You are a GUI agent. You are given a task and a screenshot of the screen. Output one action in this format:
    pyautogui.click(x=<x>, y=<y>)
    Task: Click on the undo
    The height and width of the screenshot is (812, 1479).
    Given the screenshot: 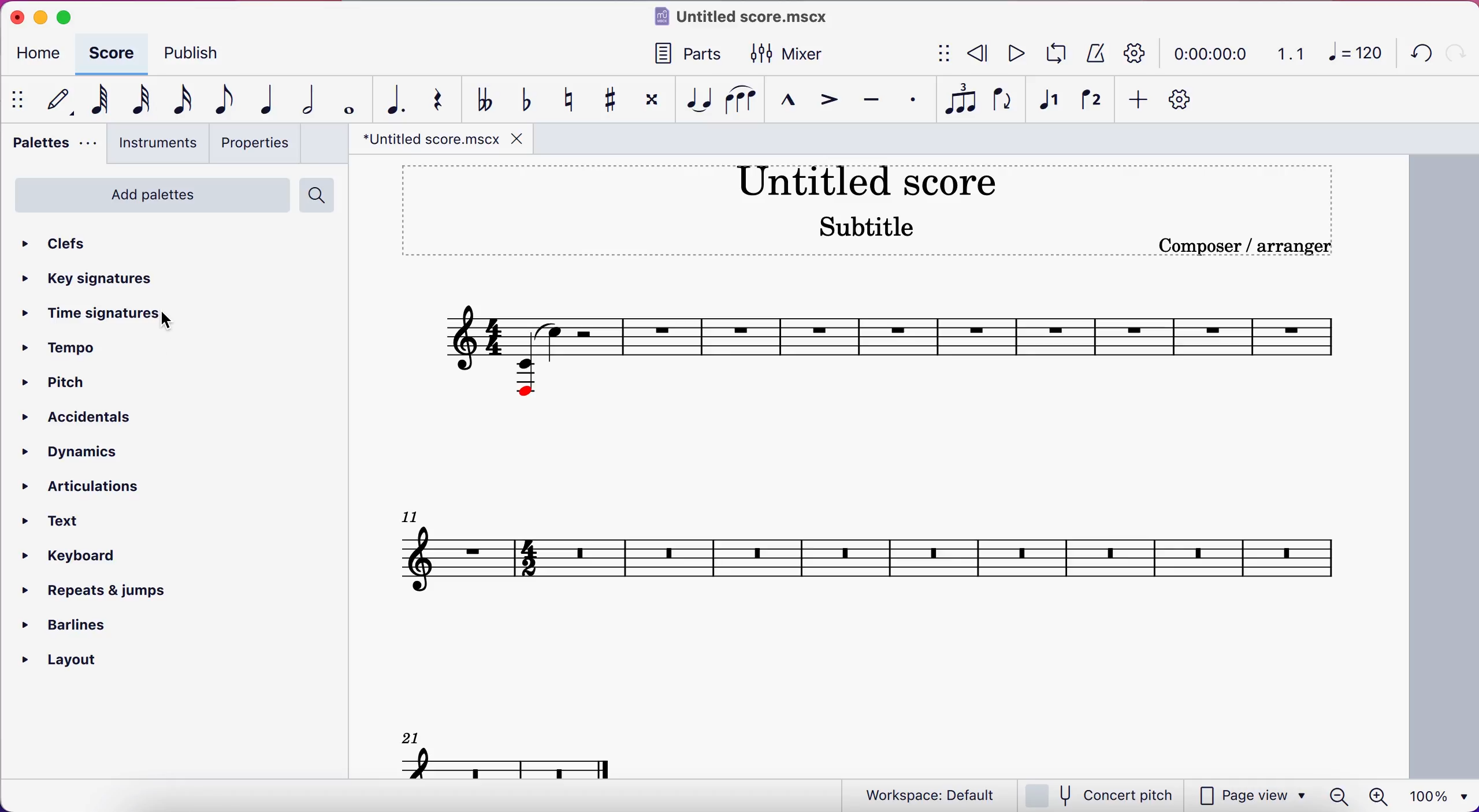 What is the action you would take?
    pyautogui.click(x=1415, y=55)
    